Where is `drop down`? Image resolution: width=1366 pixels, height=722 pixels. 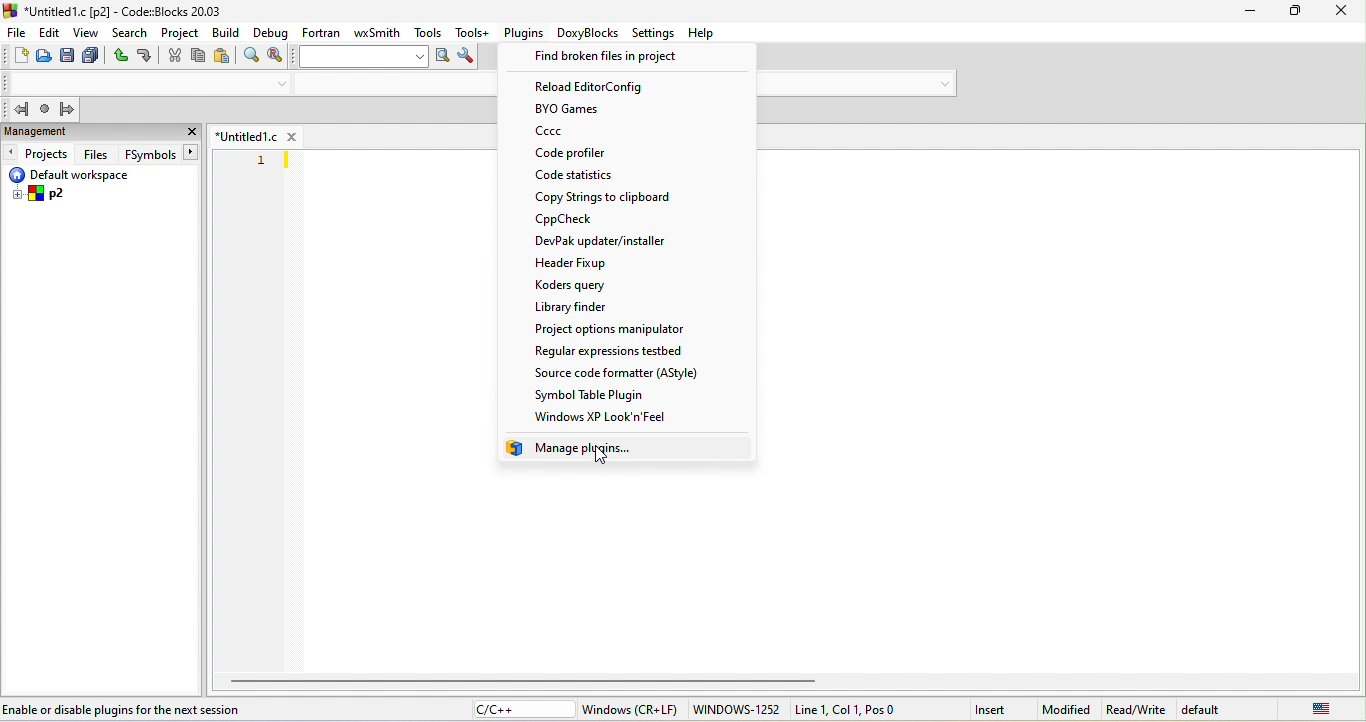 drop down is located at coordinates (944, 84).